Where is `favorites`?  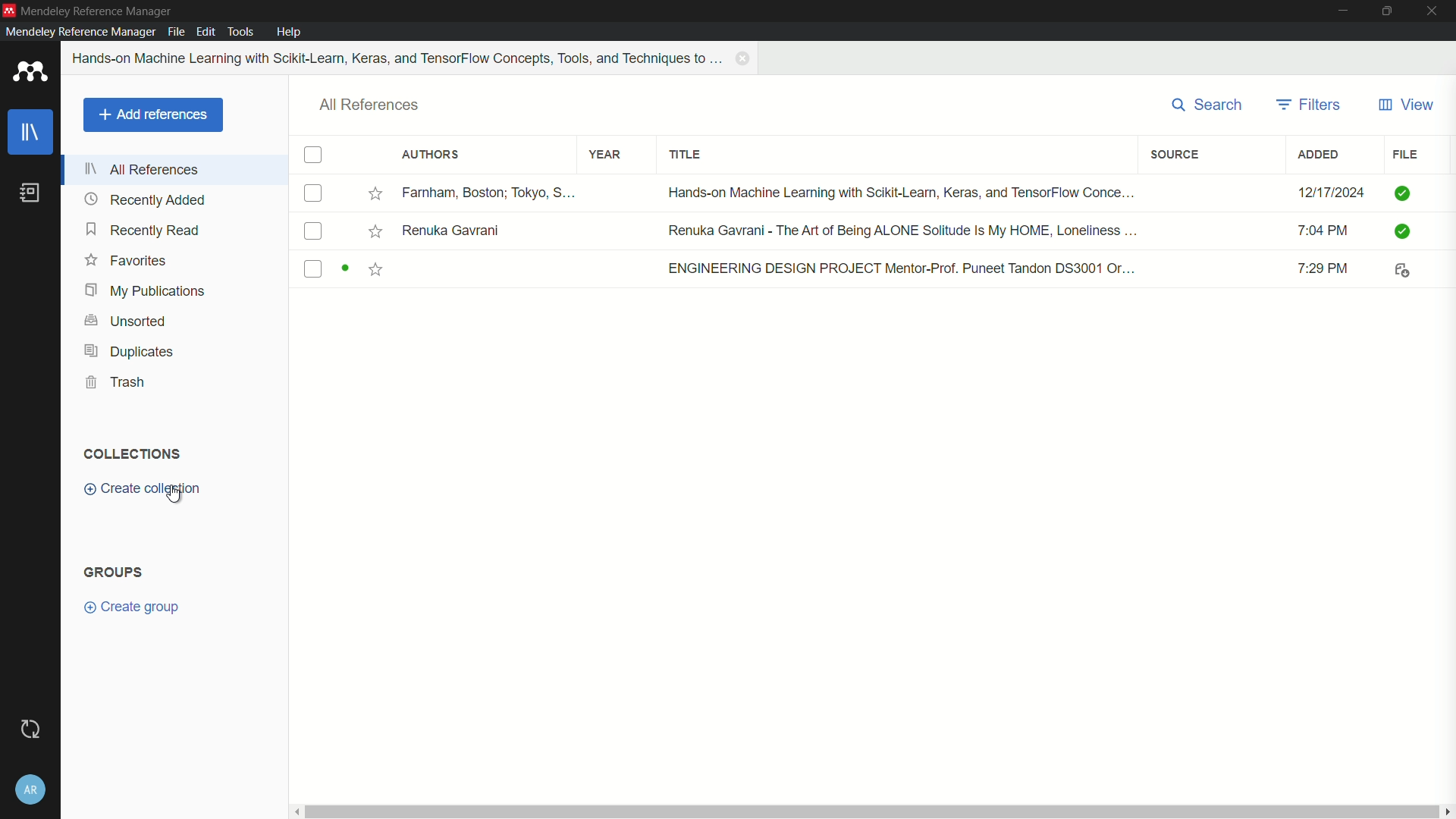
favorites is located at coordinates (126, 260).